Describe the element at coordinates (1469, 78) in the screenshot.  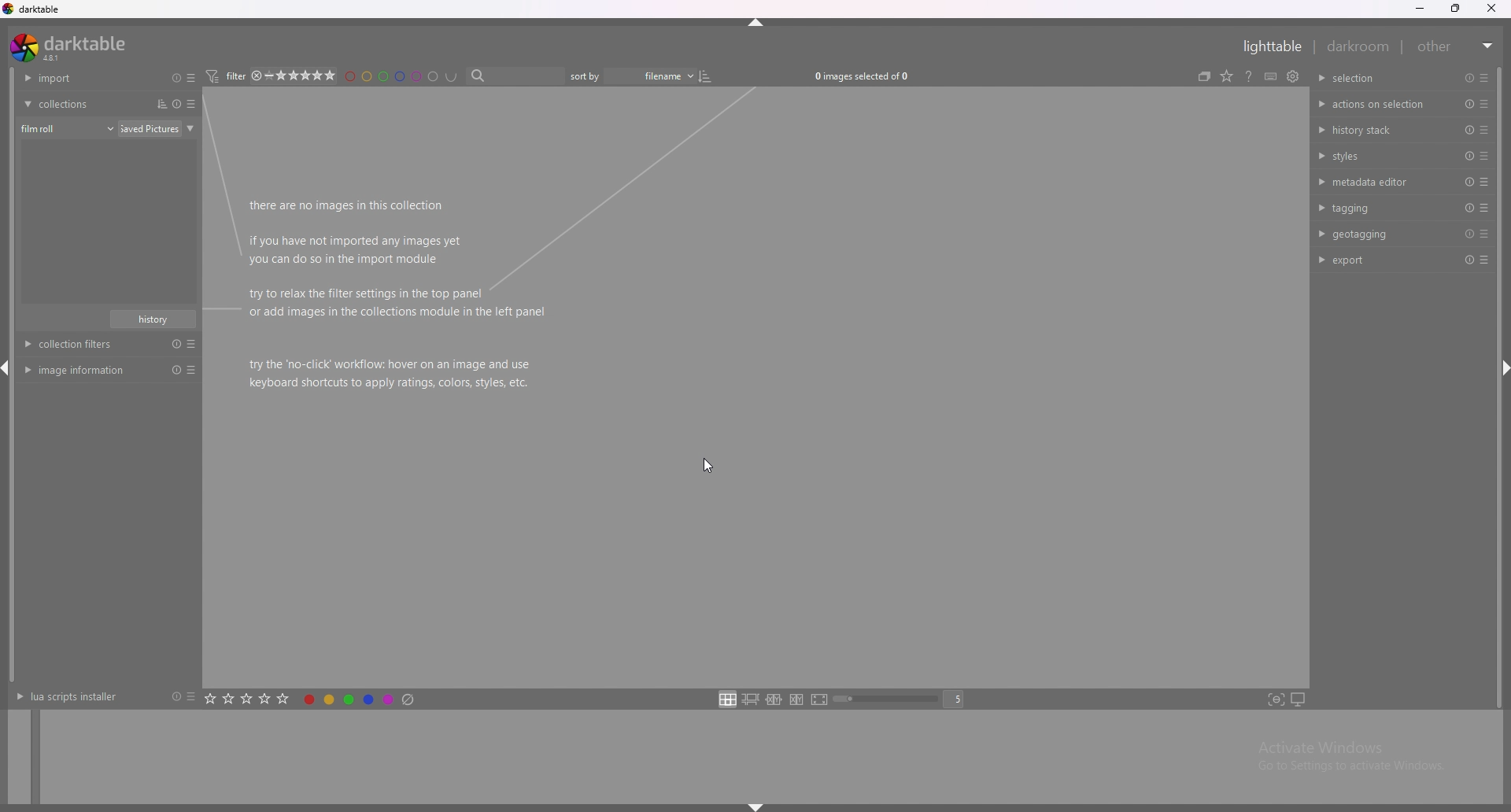
I see `reset` at that location.